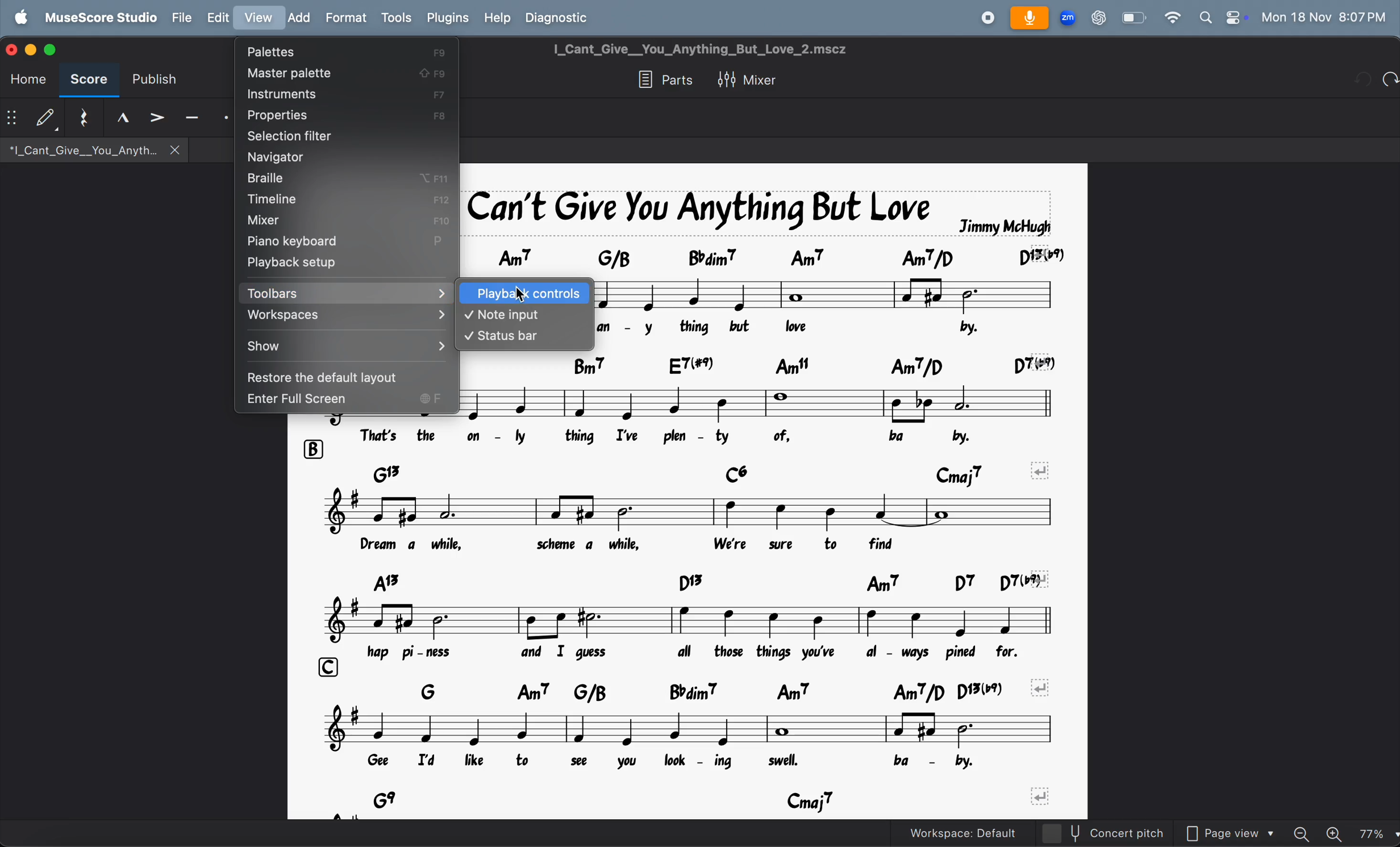 Image resolution: width=1400 pixels, height=847 pixels. What do you see at coordinates (765, 257) in the screenshot?
I see `chord symbol` at bounding box center [765, 257].